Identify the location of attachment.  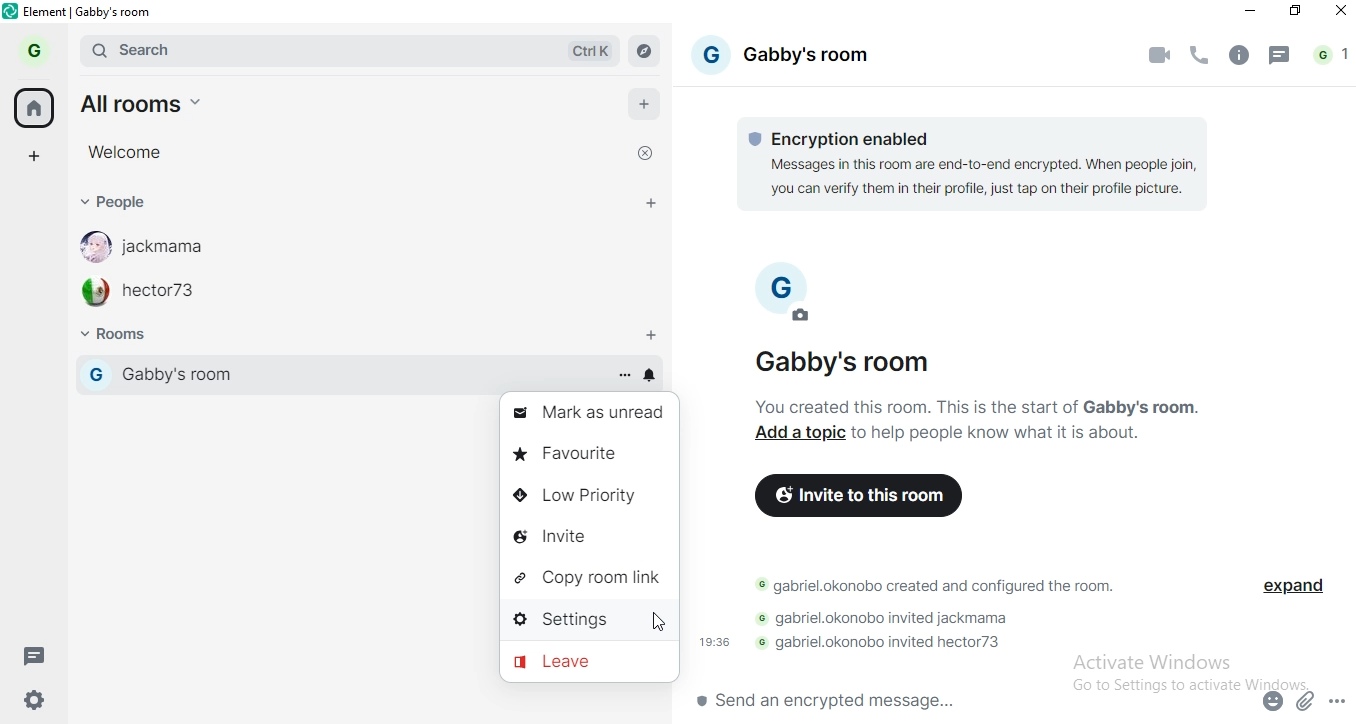
(1307, 700).